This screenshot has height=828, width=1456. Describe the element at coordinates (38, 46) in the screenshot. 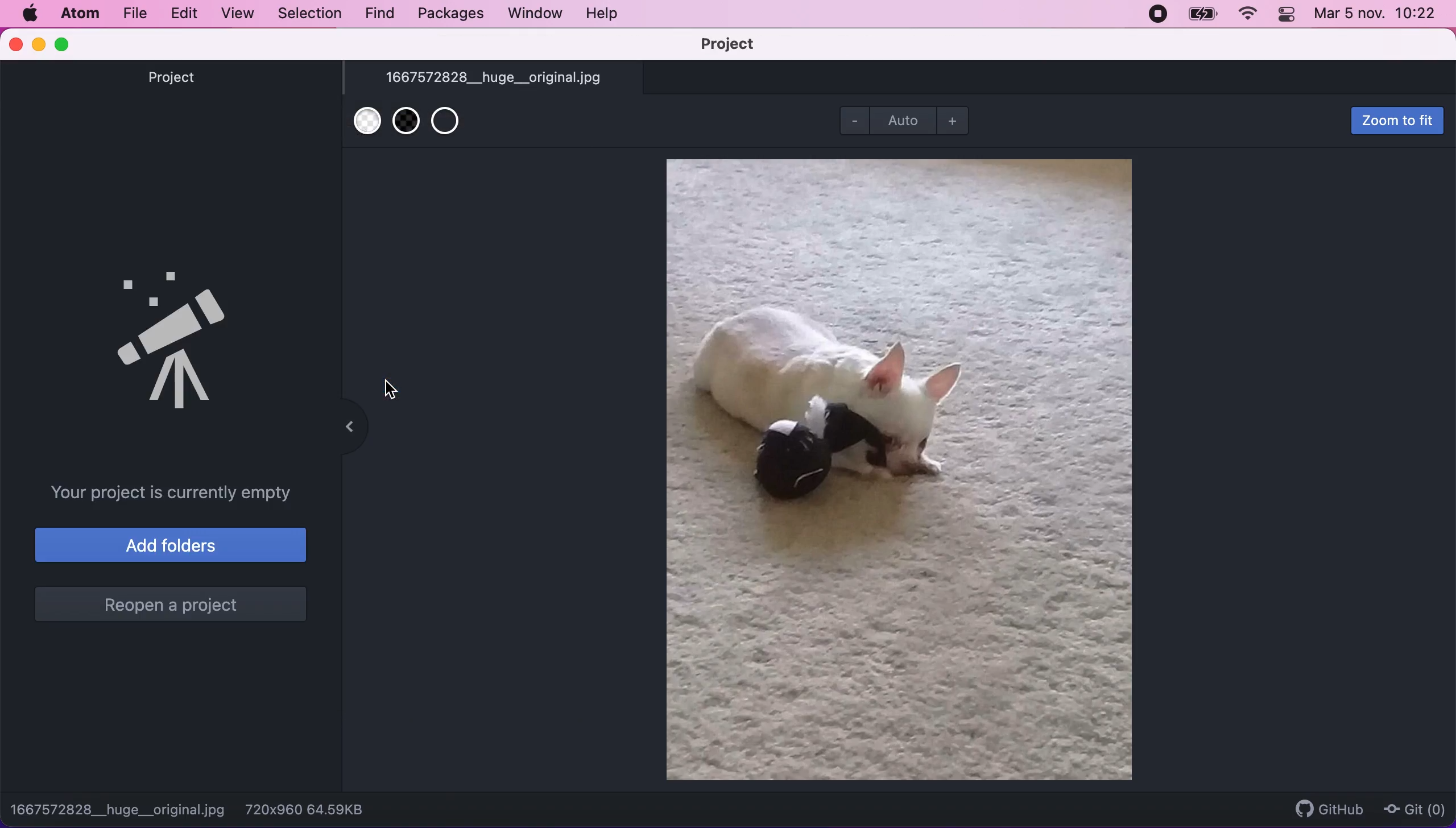

I see `minimize` at that location.